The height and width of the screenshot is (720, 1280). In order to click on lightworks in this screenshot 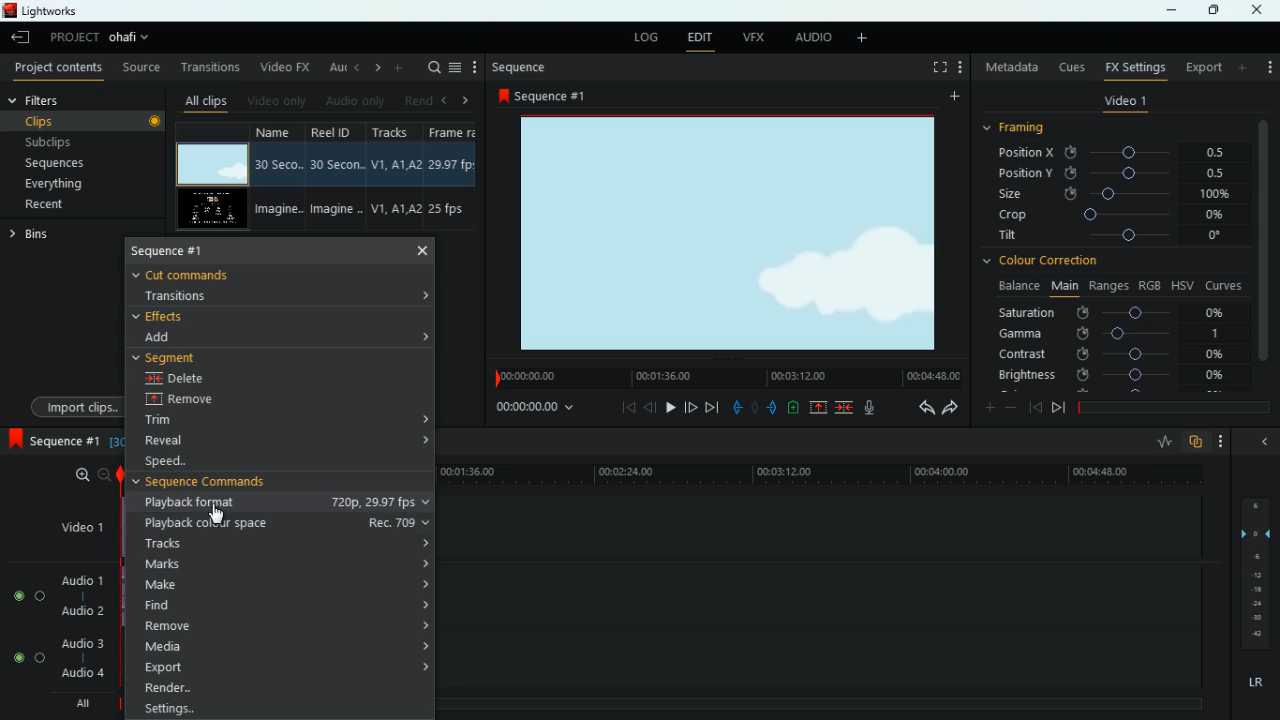, I will do `click(44, 12)`.